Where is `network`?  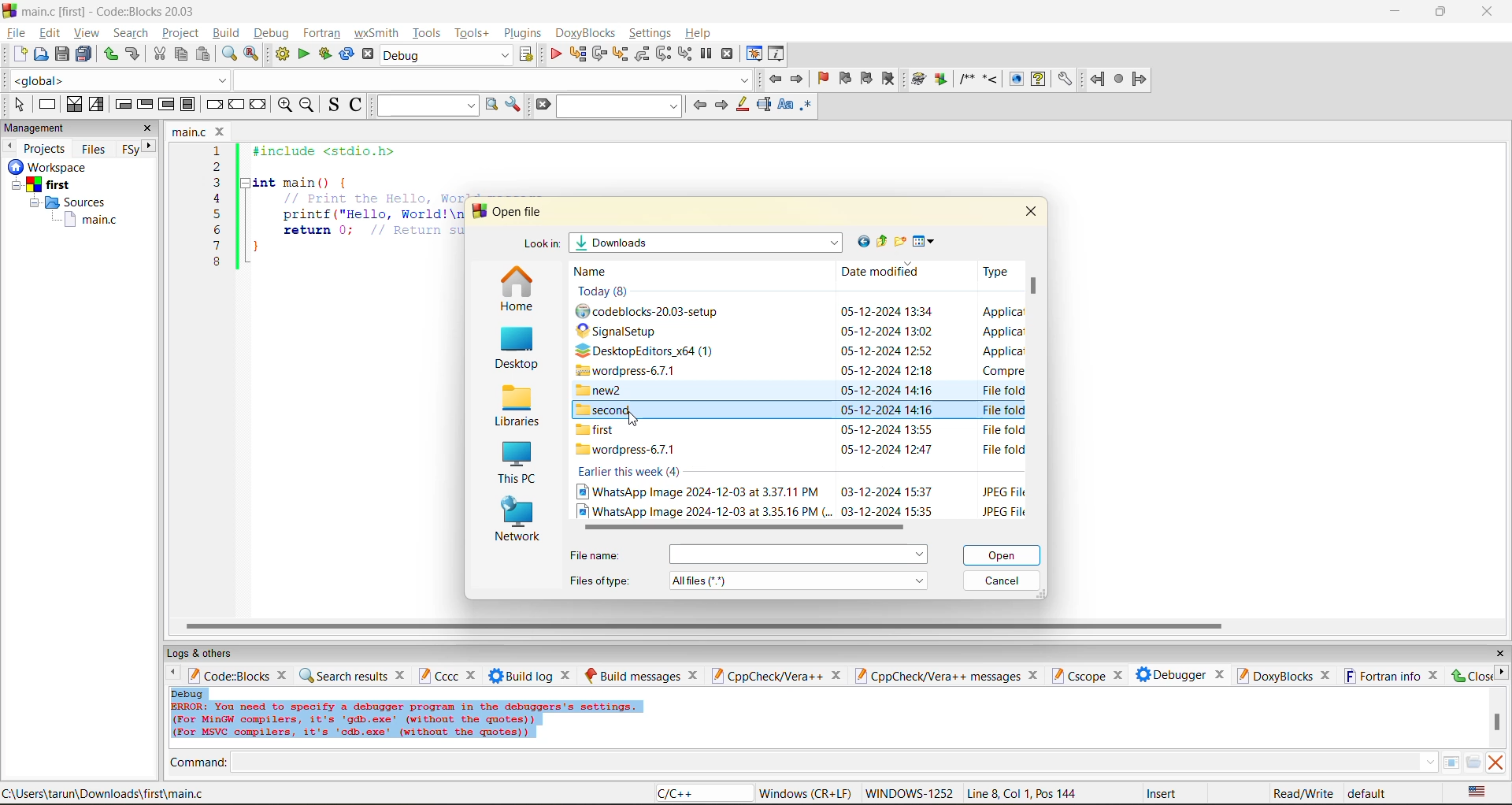 network is located at coordinates (518, 521).